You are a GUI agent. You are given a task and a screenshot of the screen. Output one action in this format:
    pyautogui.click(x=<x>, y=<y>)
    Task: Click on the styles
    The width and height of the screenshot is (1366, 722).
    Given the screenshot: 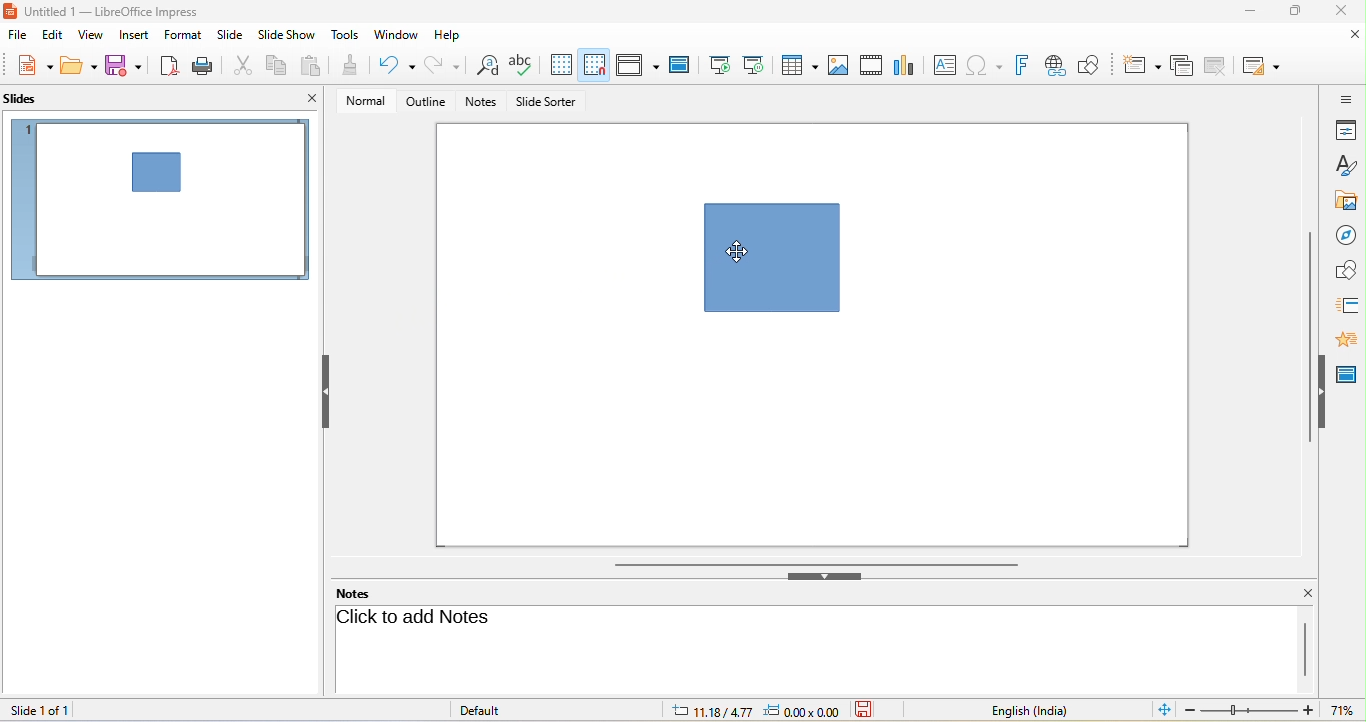 What is the action you would take?
    pyautogui.click(x=1345, y=164)
    